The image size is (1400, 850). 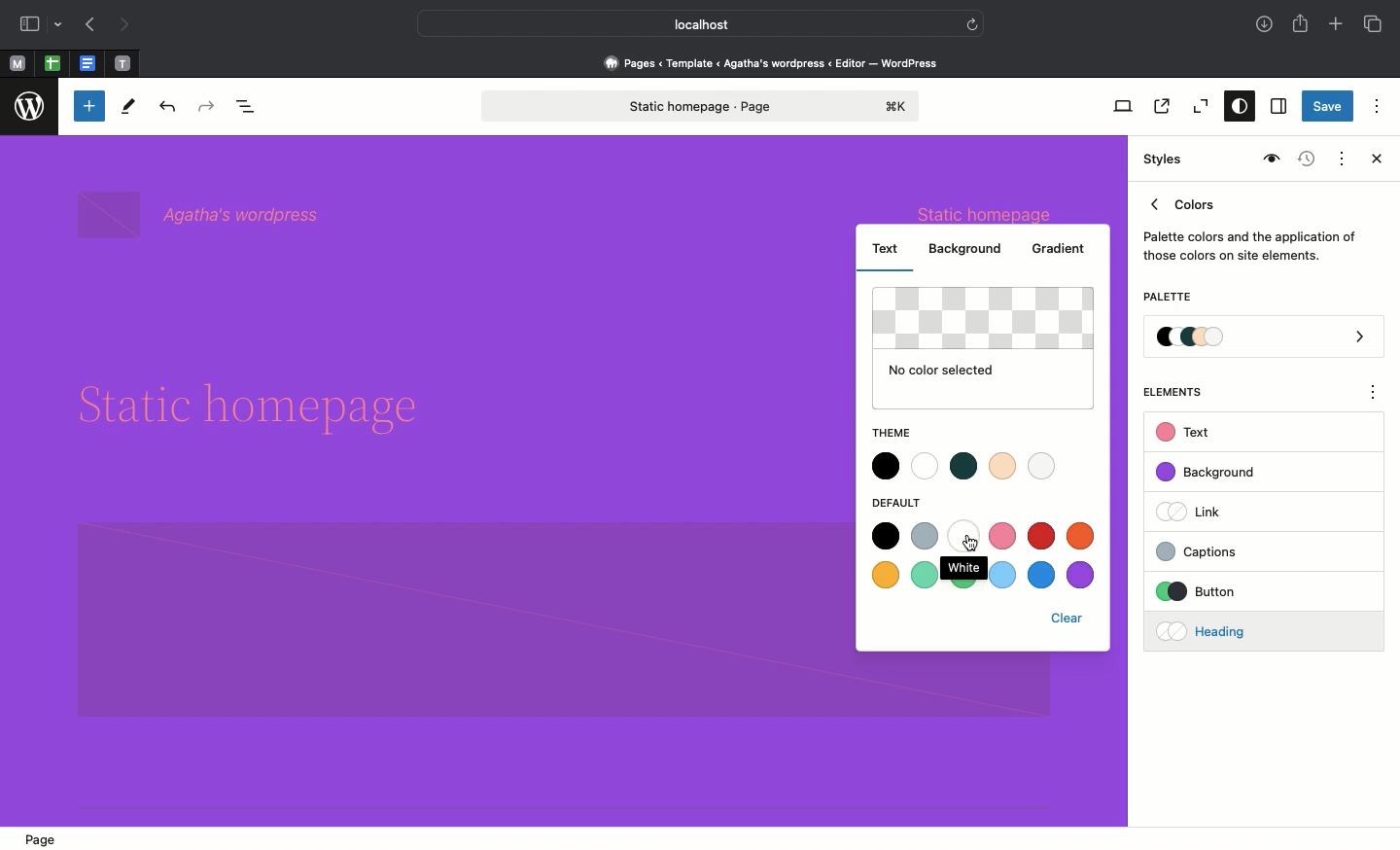 What do you see at coordinates (1160, 106) in the screenshot?
I see `View page` at bounding box center [1160, 106].